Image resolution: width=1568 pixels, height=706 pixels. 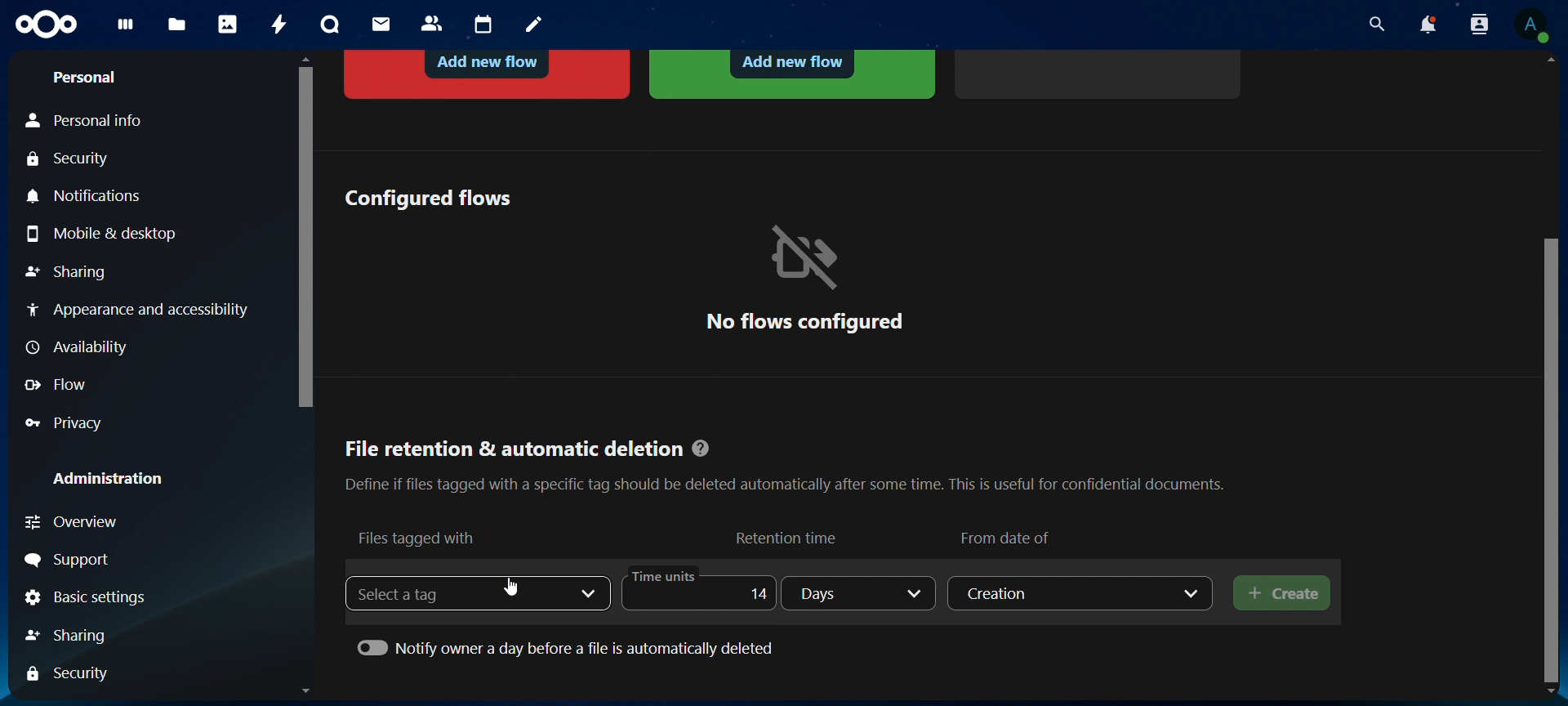 I want to click on personal info, so click(x=95, y=121).